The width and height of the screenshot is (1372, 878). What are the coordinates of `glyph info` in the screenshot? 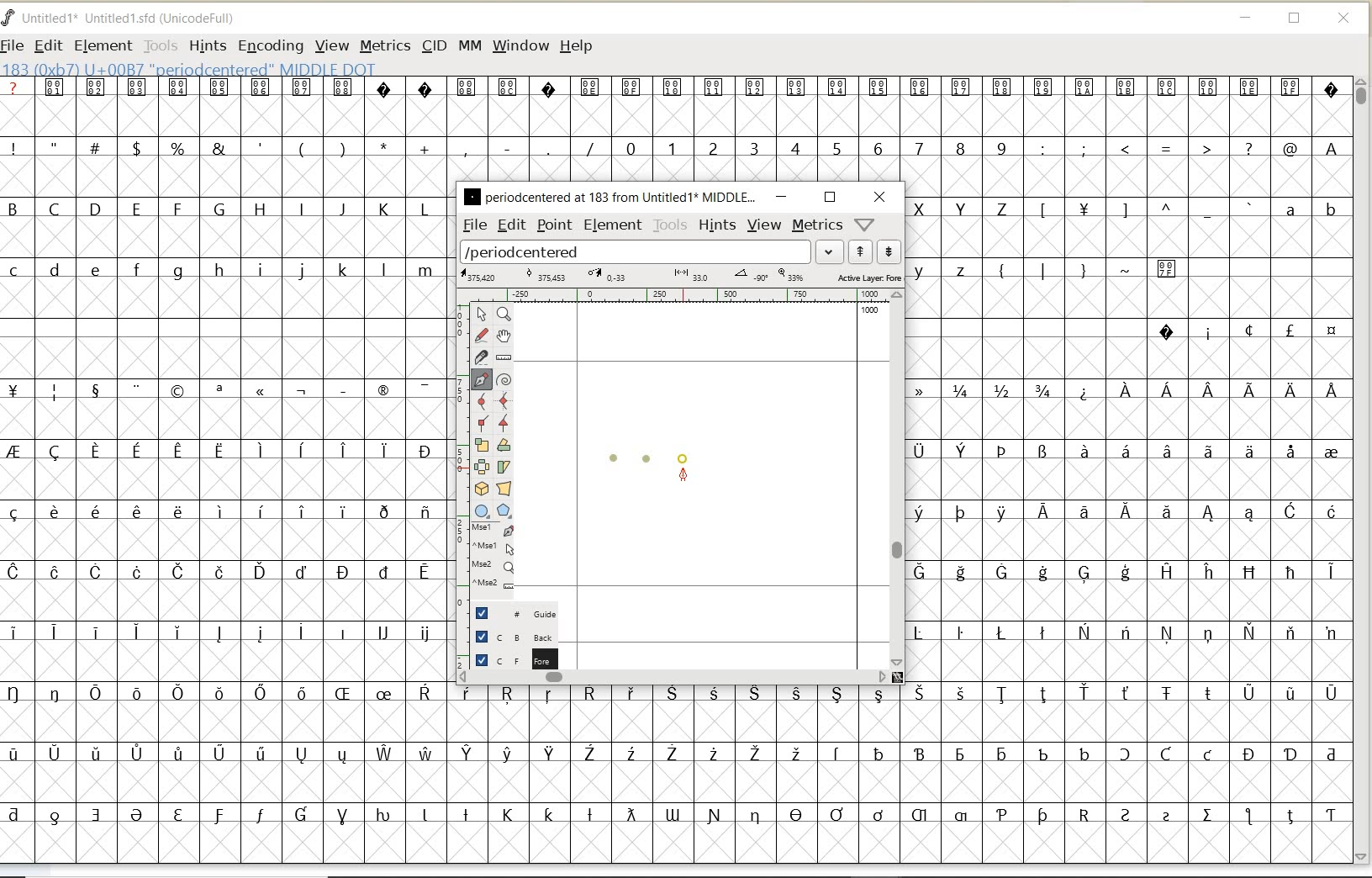 It's located at (191, 66).